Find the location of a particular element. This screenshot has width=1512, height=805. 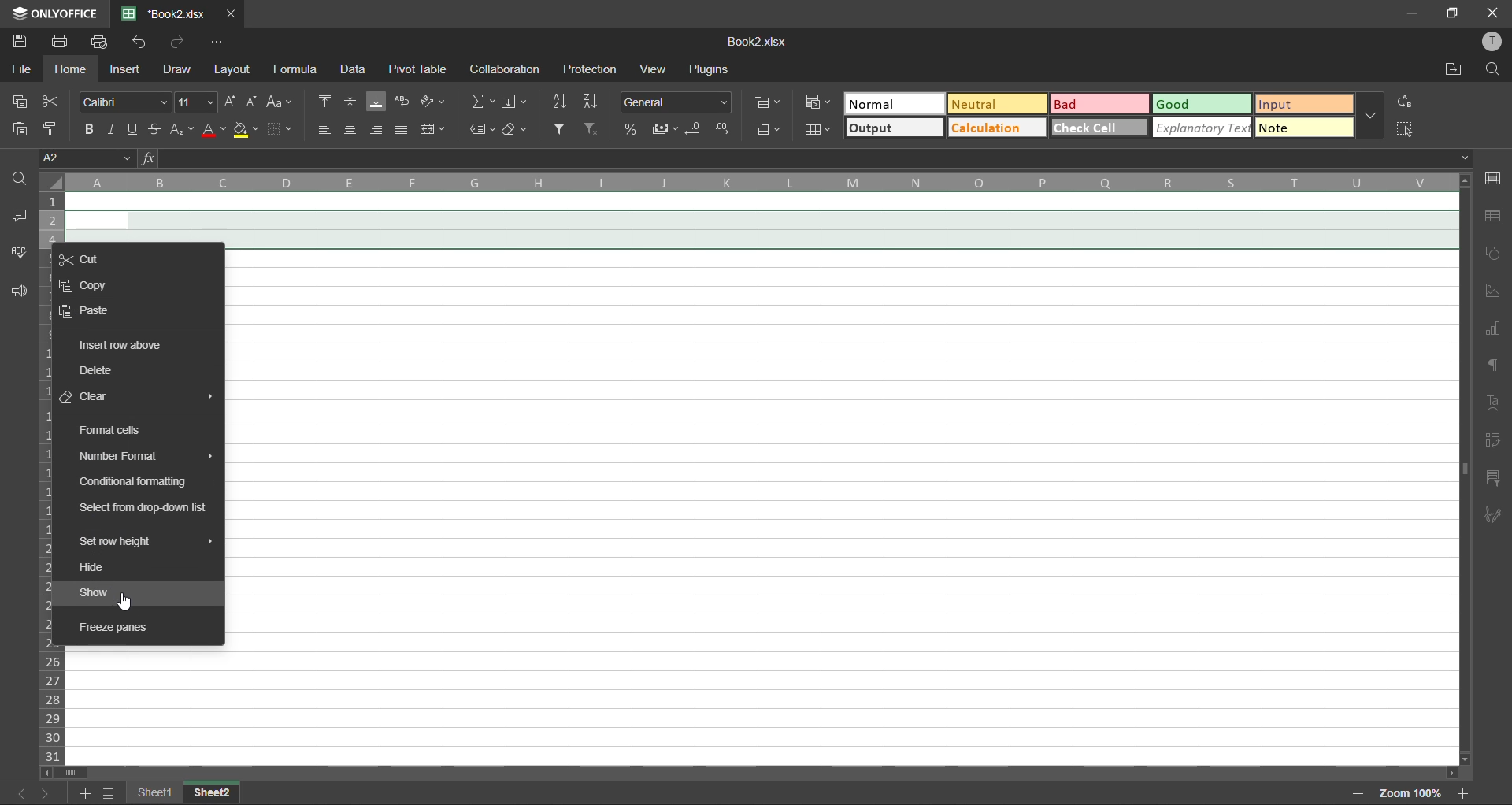

normal is located at coordinates (891, 103).